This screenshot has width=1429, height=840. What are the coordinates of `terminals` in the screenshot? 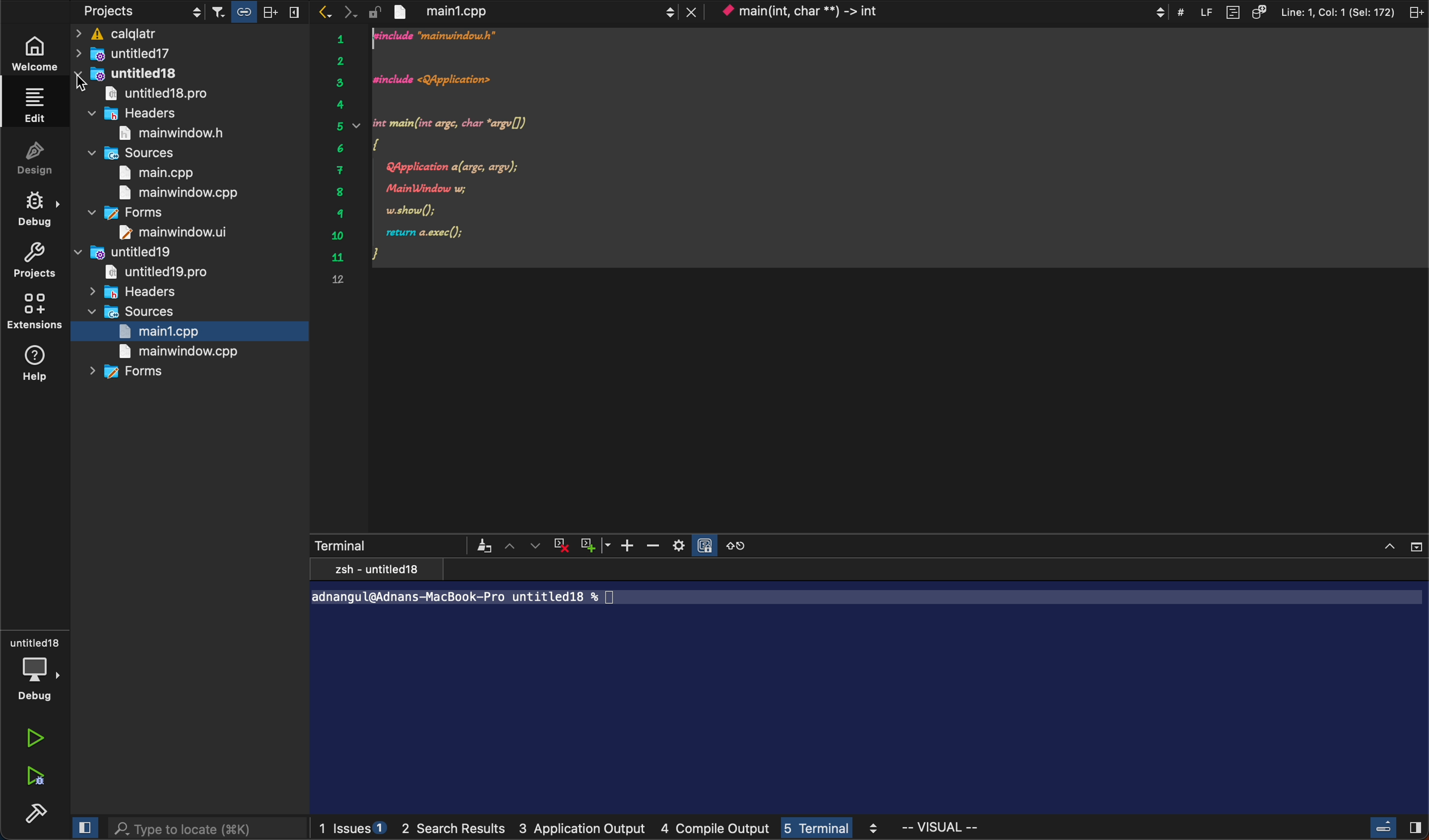 It's located at (400, 546).